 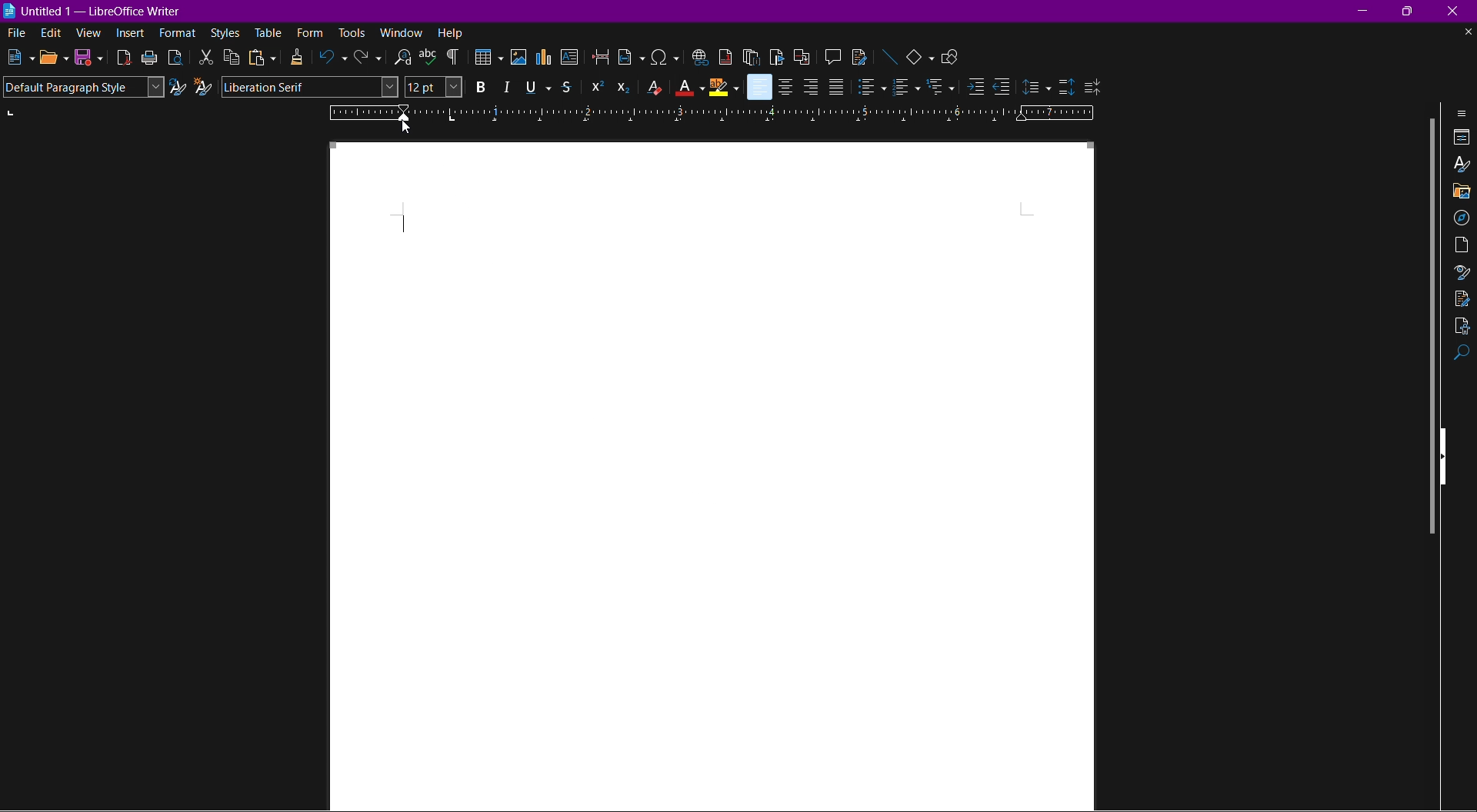 What do you see at coordinates (1462, 191) in the screenshot?
I see `Gallery` at bounding box center [1462, 191].